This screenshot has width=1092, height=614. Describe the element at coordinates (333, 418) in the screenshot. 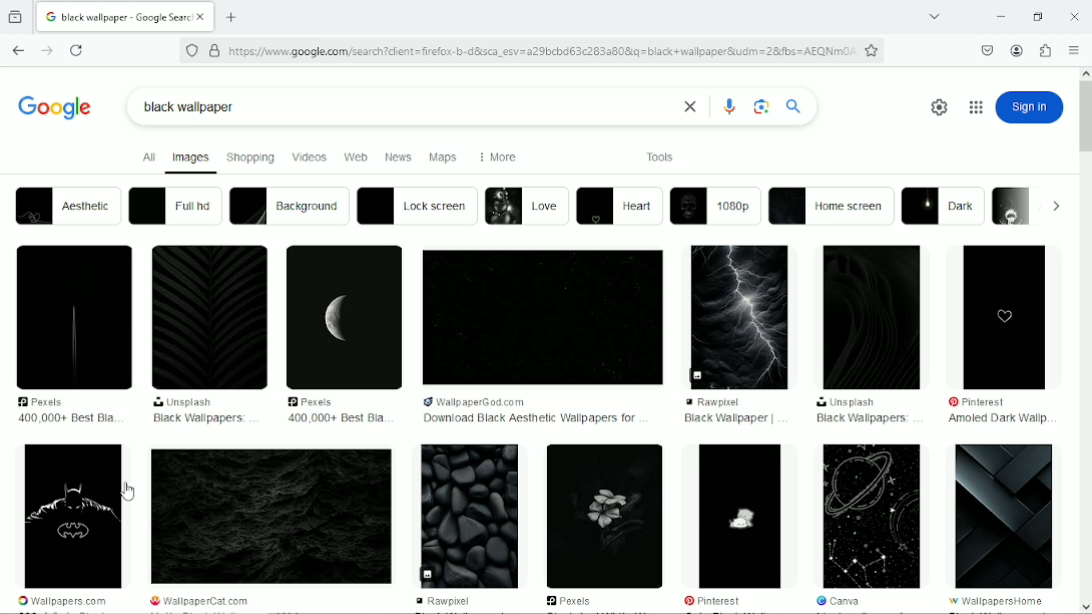

I see `400,000+ best bia` at that location.